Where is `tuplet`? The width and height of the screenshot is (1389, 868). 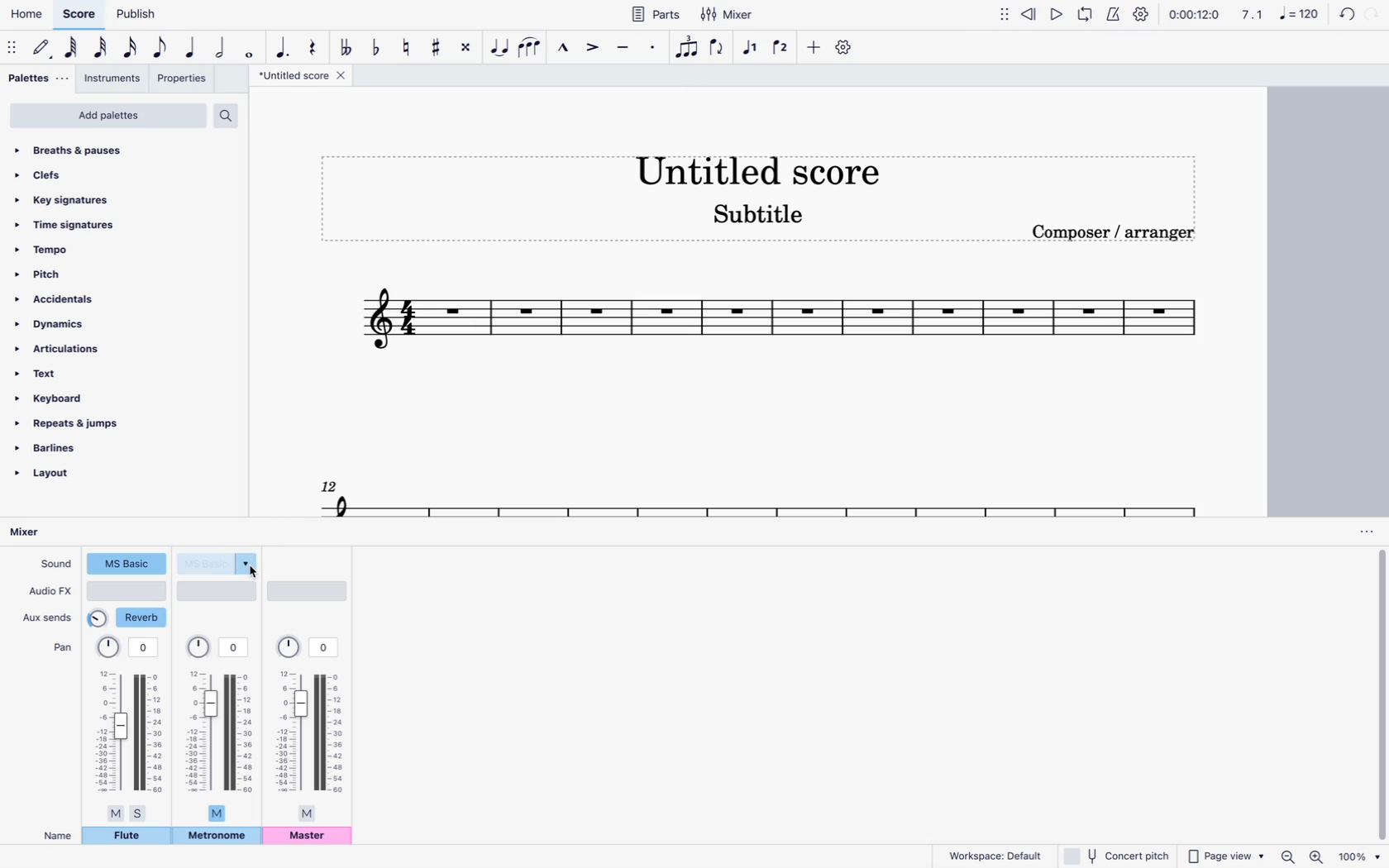
tuplet is located at coordinates (686, 48).